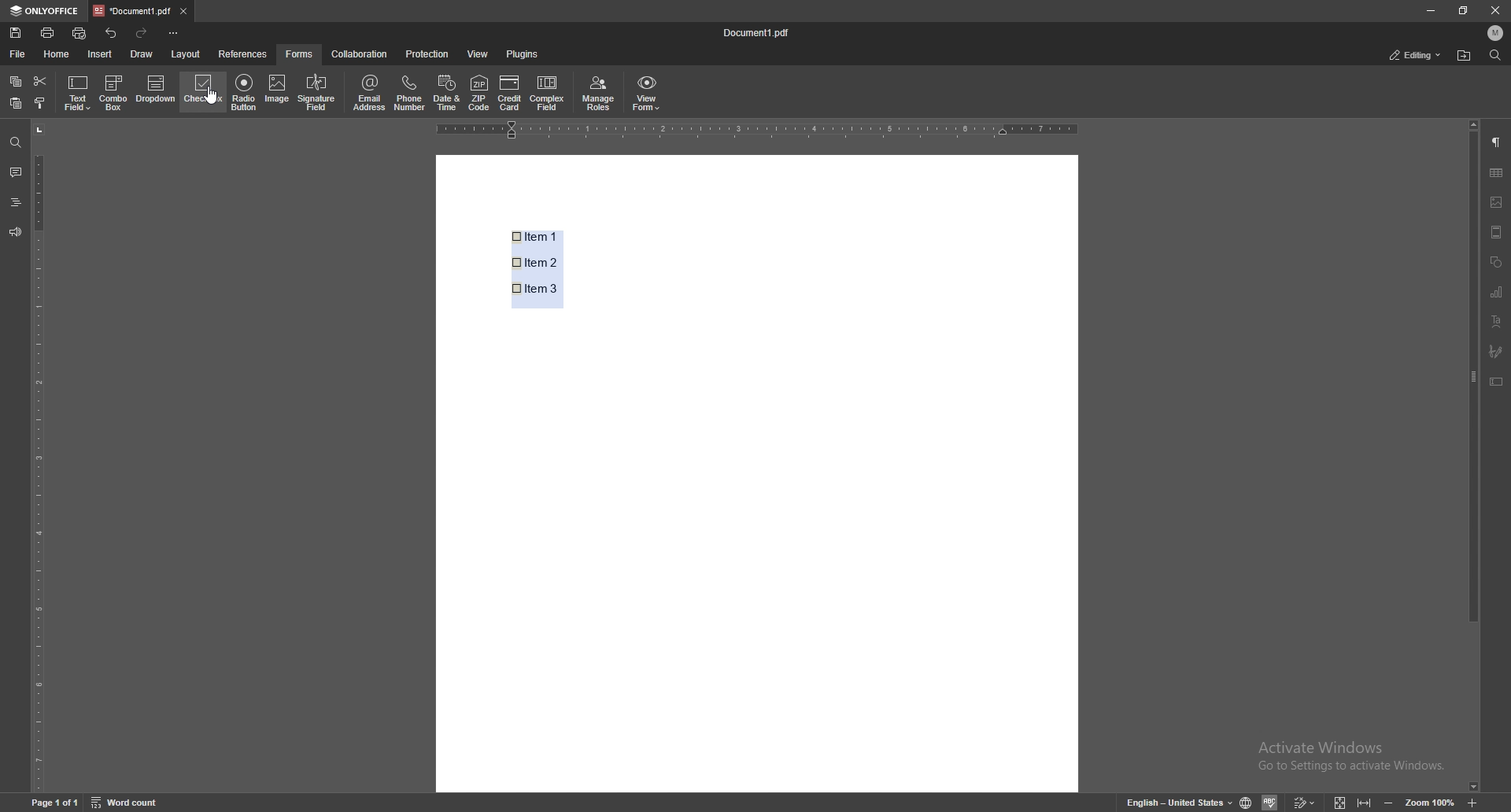  I want to click on cut, so click(41, 82).